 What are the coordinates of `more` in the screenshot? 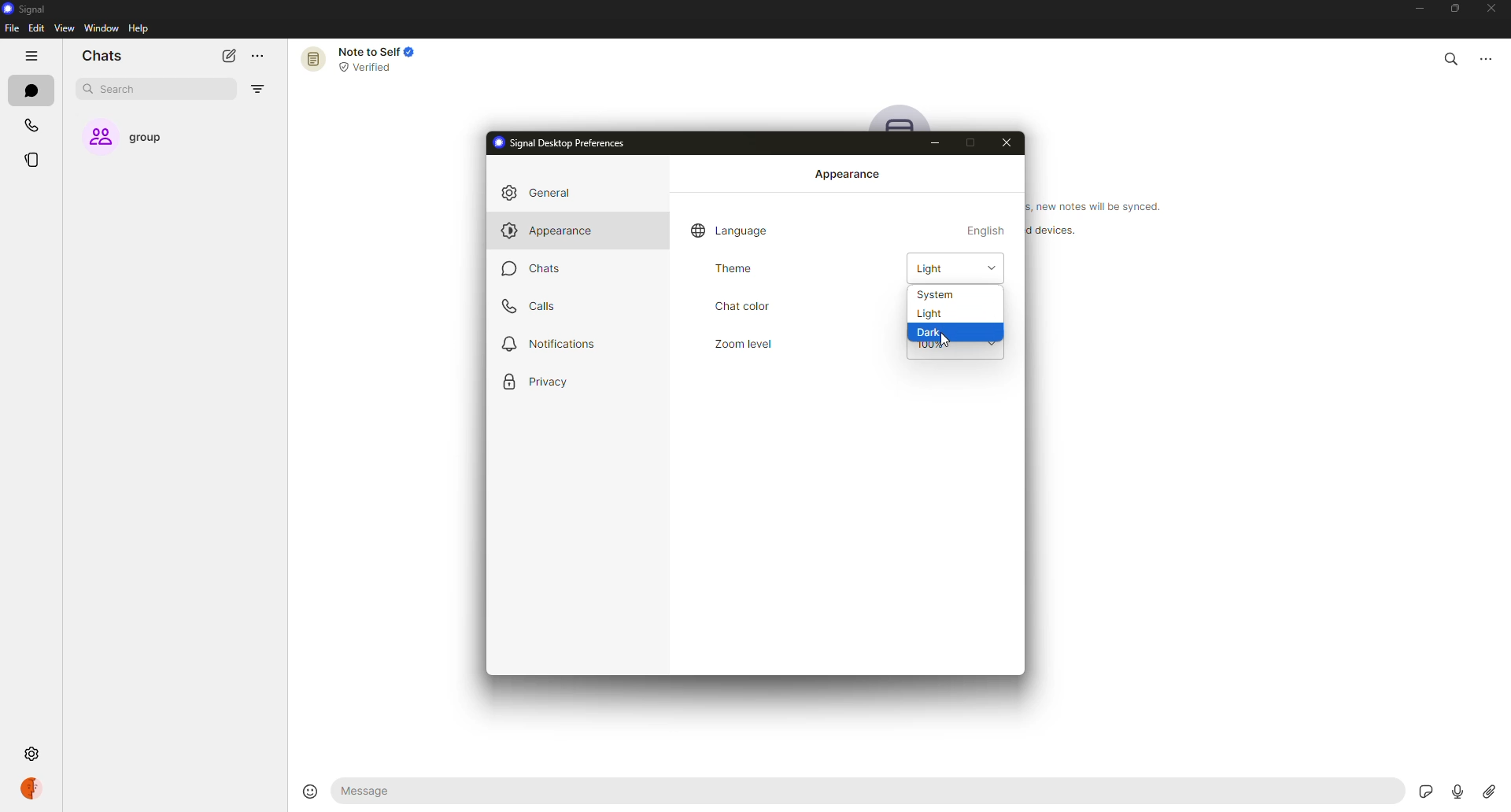 It's located at (257, 57).